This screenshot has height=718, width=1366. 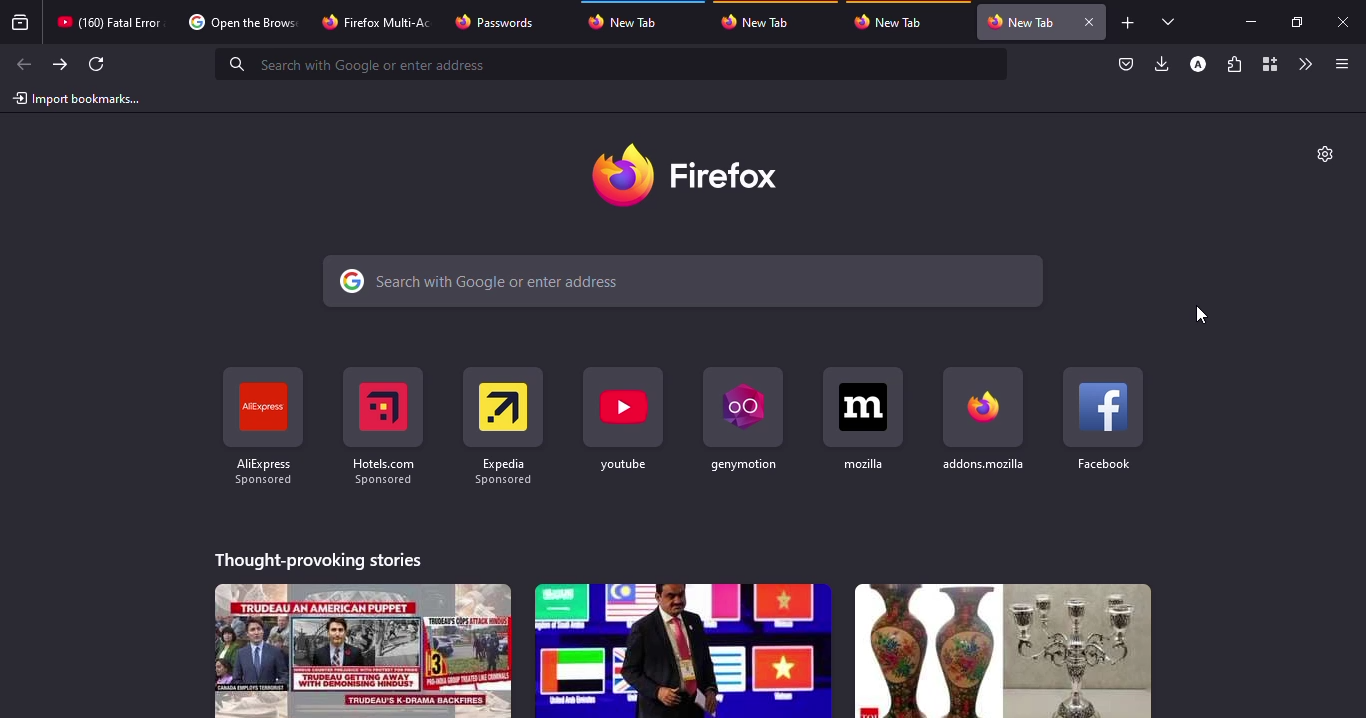 I want to click on container, so click(x=1269, y=64).